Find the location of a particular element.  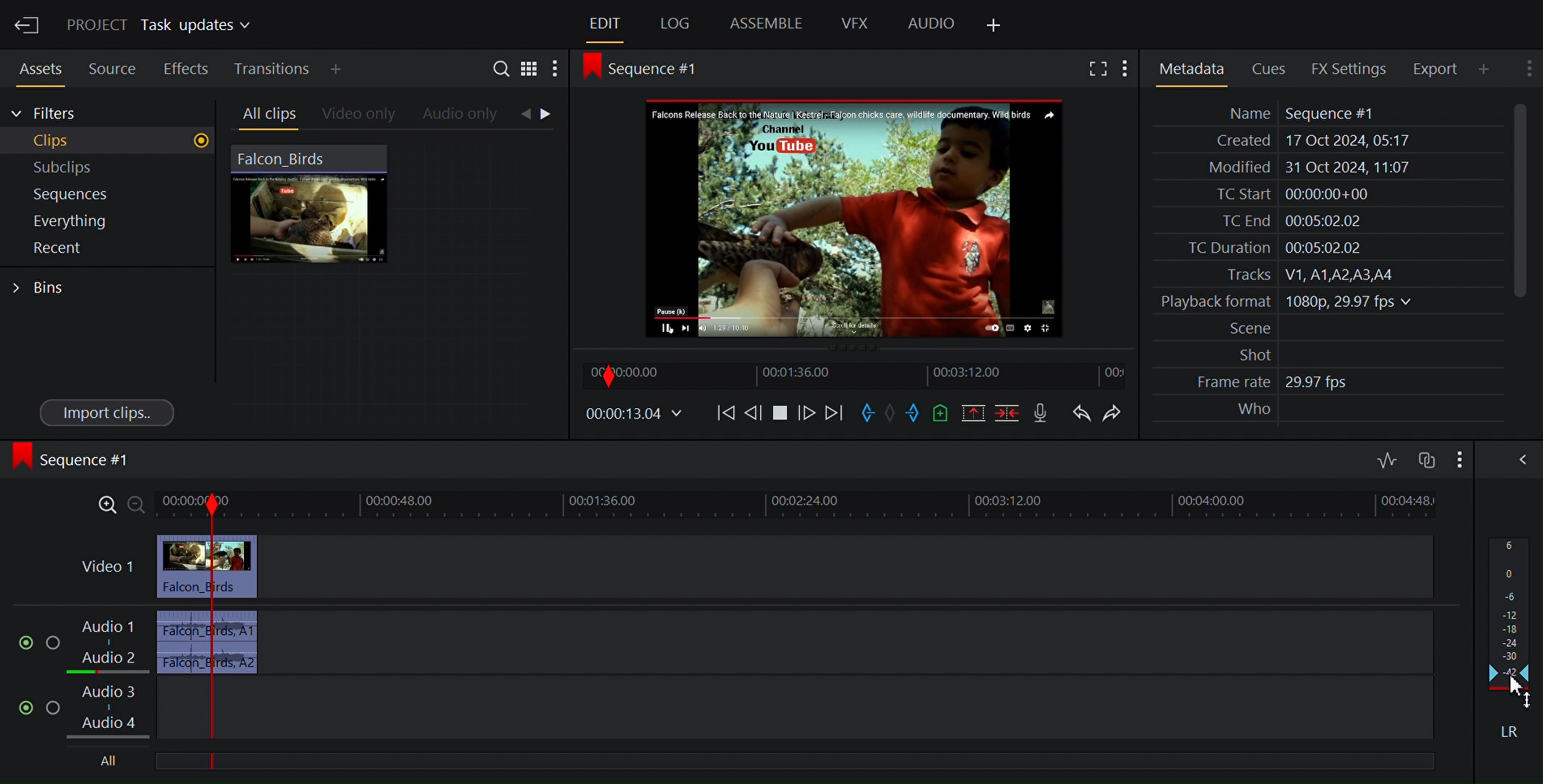

Show/Hide Full audio mix is located at coordinates (1515, 458).